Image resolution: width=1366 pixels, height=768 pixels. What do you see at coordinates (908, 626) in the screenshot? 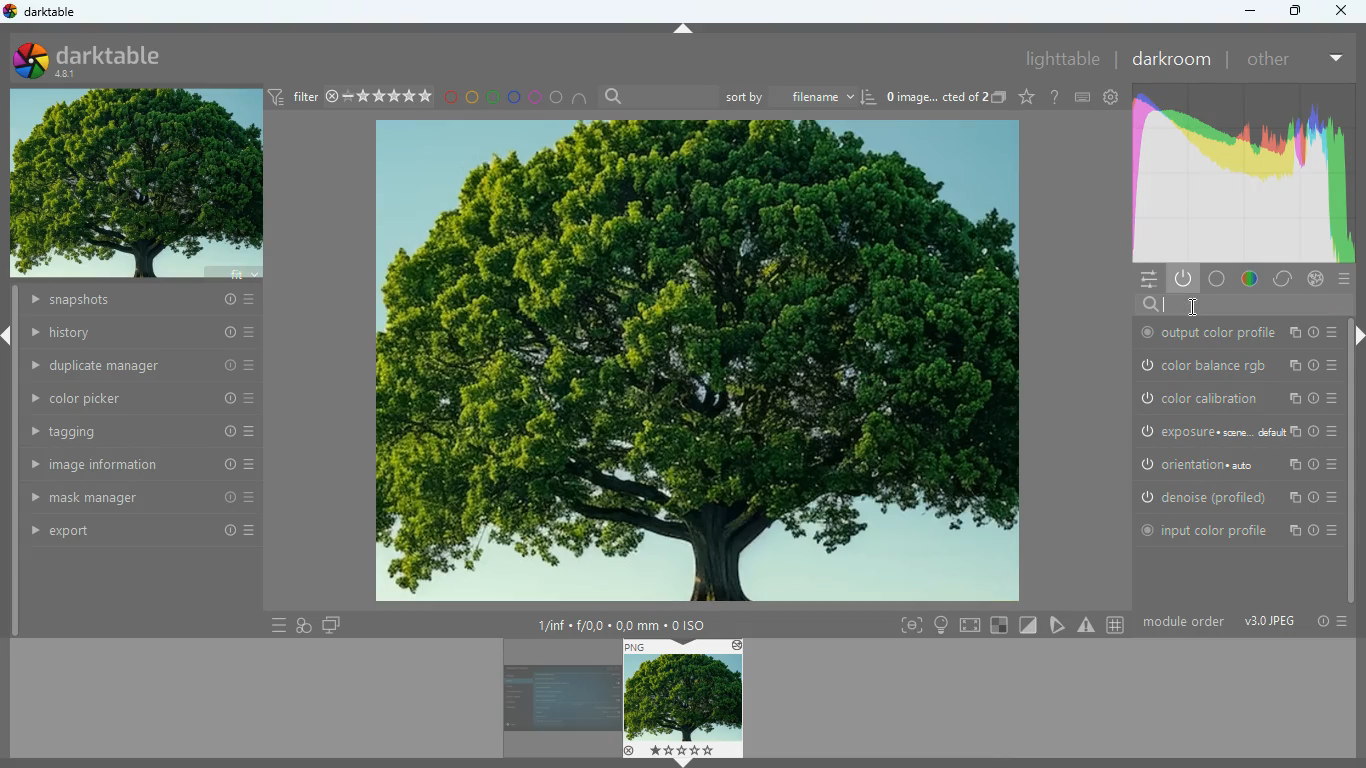
I see `frame` at bounding box center [908, 626].